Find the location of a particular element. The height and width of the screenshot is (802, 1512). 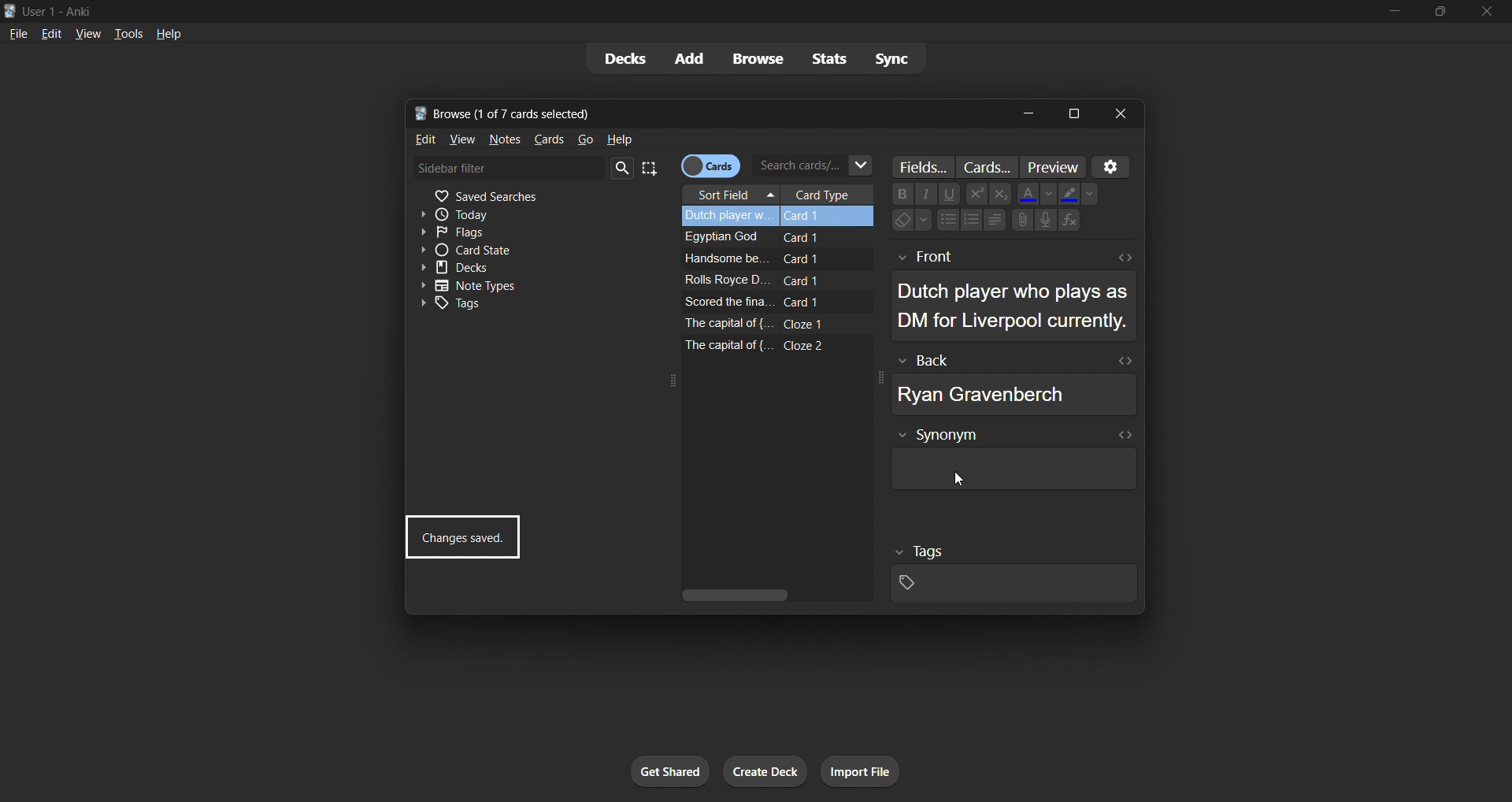

sort field column is located at coordinates (730, 195).